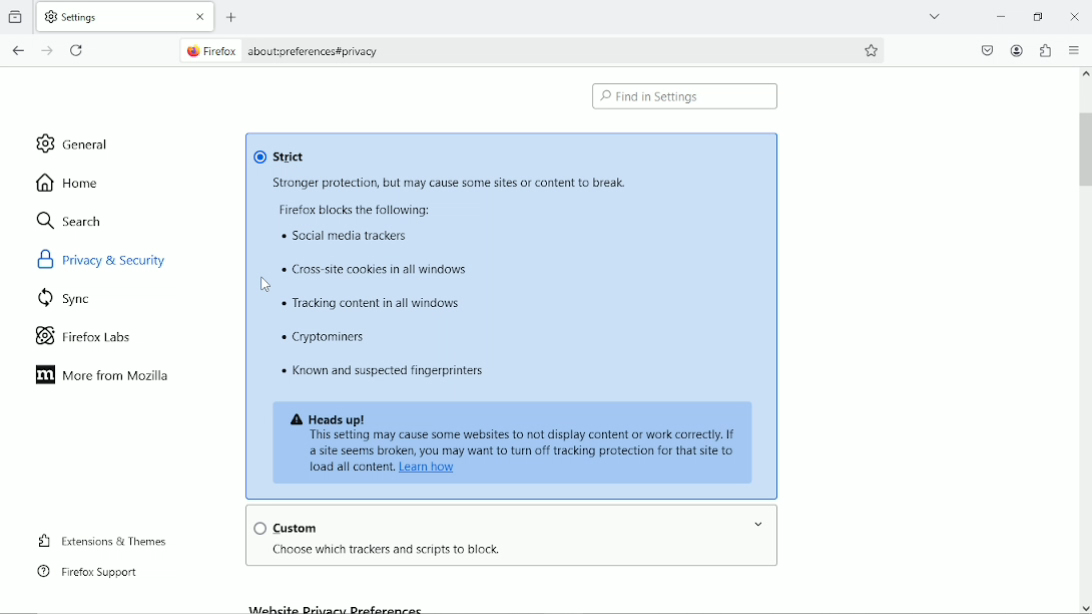  I want to click on text, so click(345, 237).